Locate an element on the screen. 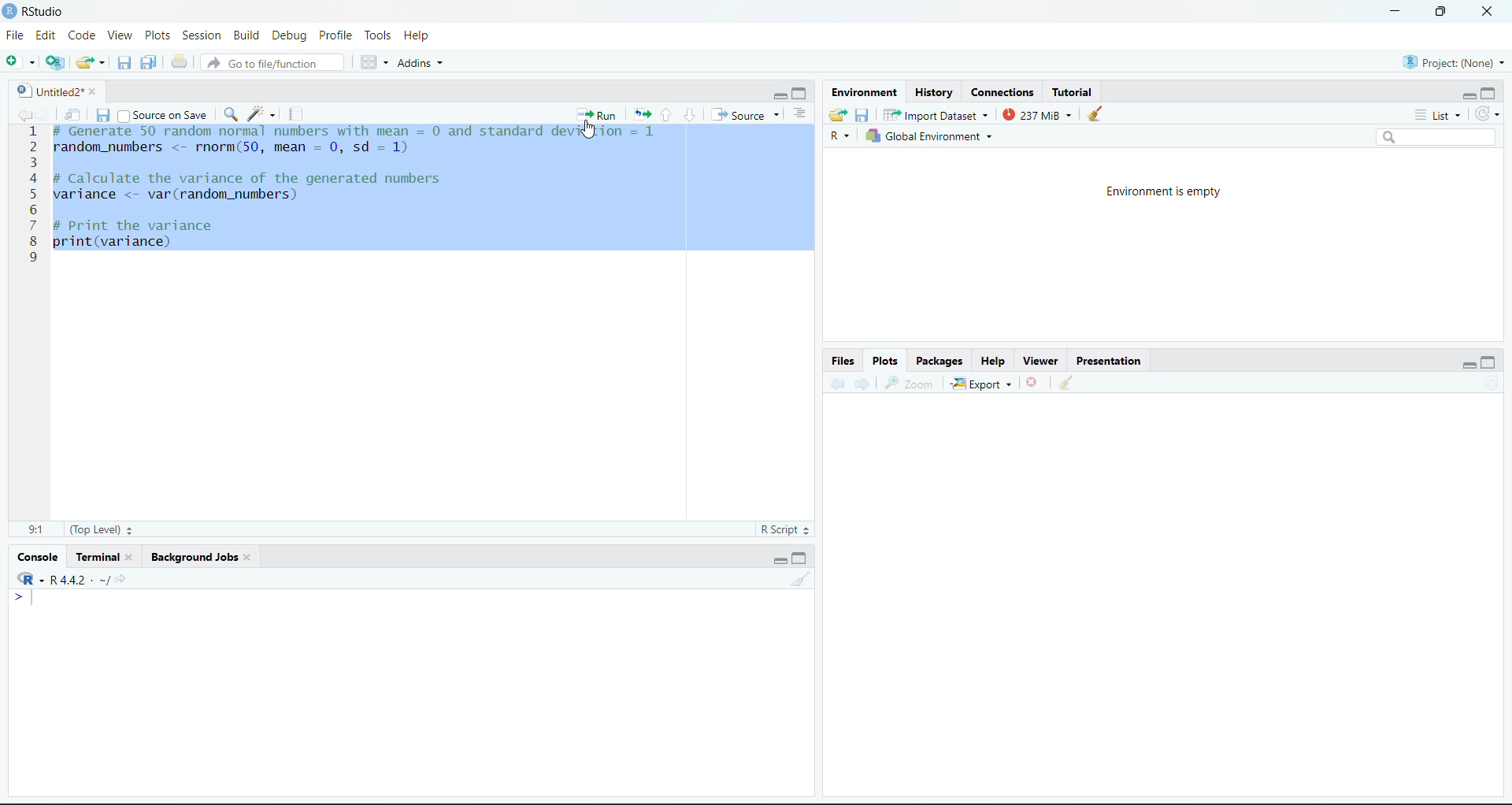 This screenshot has width=1512, height=805. Plots is located at coordinates (885, 361).